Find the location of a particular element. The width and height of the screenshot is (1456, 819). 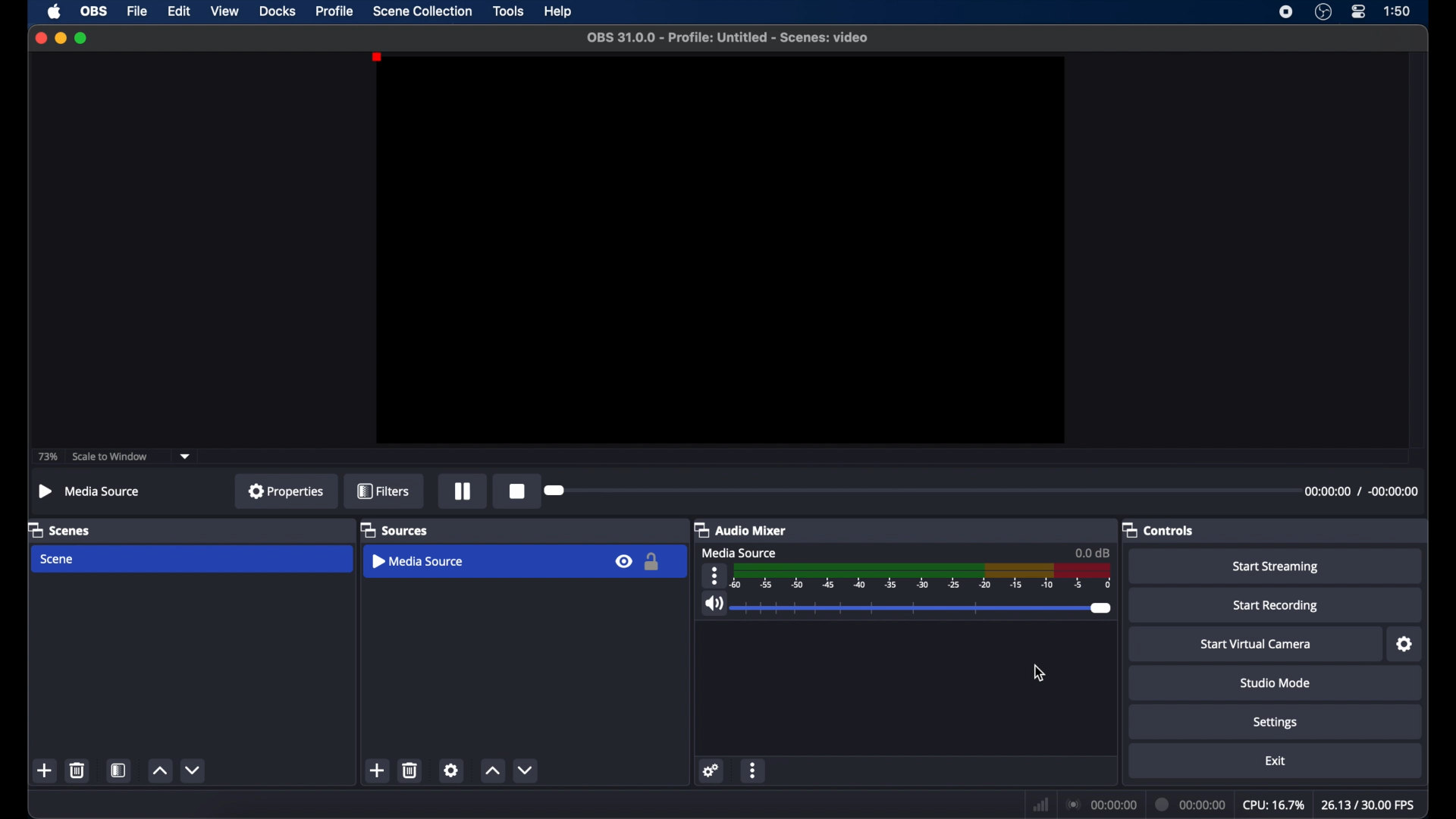

profile is located at coordinates (336, 11).